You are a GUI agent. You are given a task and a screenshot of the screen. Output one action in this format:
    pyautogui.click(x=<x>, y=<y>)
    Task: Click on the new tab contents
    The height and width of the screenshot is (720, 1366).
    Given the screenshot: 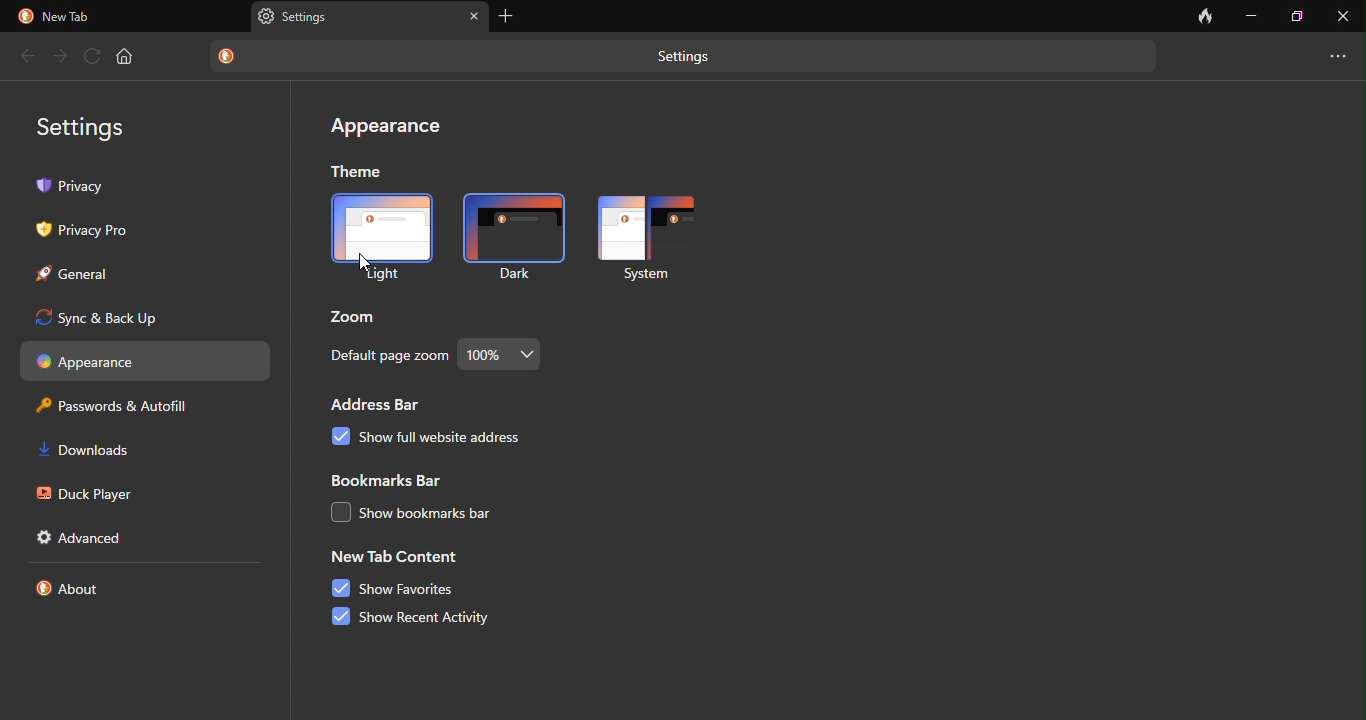 What is the action you would take?
    pyautogui.click(x=396, y=559)
    